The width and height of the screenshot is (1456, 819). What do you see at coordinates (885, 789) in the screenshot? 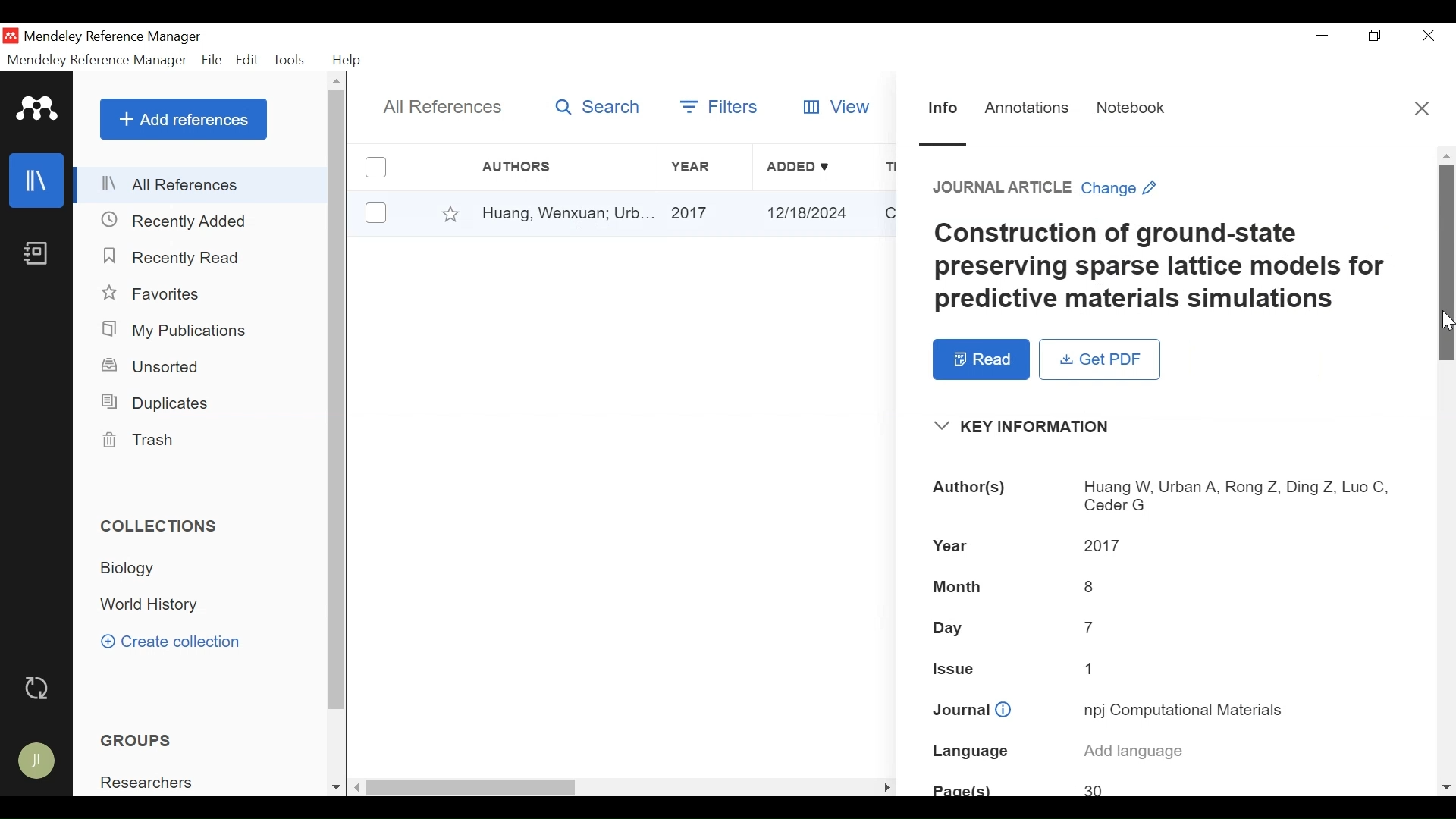
I see `Scroll Rigt` at bounding box center [885, 789].